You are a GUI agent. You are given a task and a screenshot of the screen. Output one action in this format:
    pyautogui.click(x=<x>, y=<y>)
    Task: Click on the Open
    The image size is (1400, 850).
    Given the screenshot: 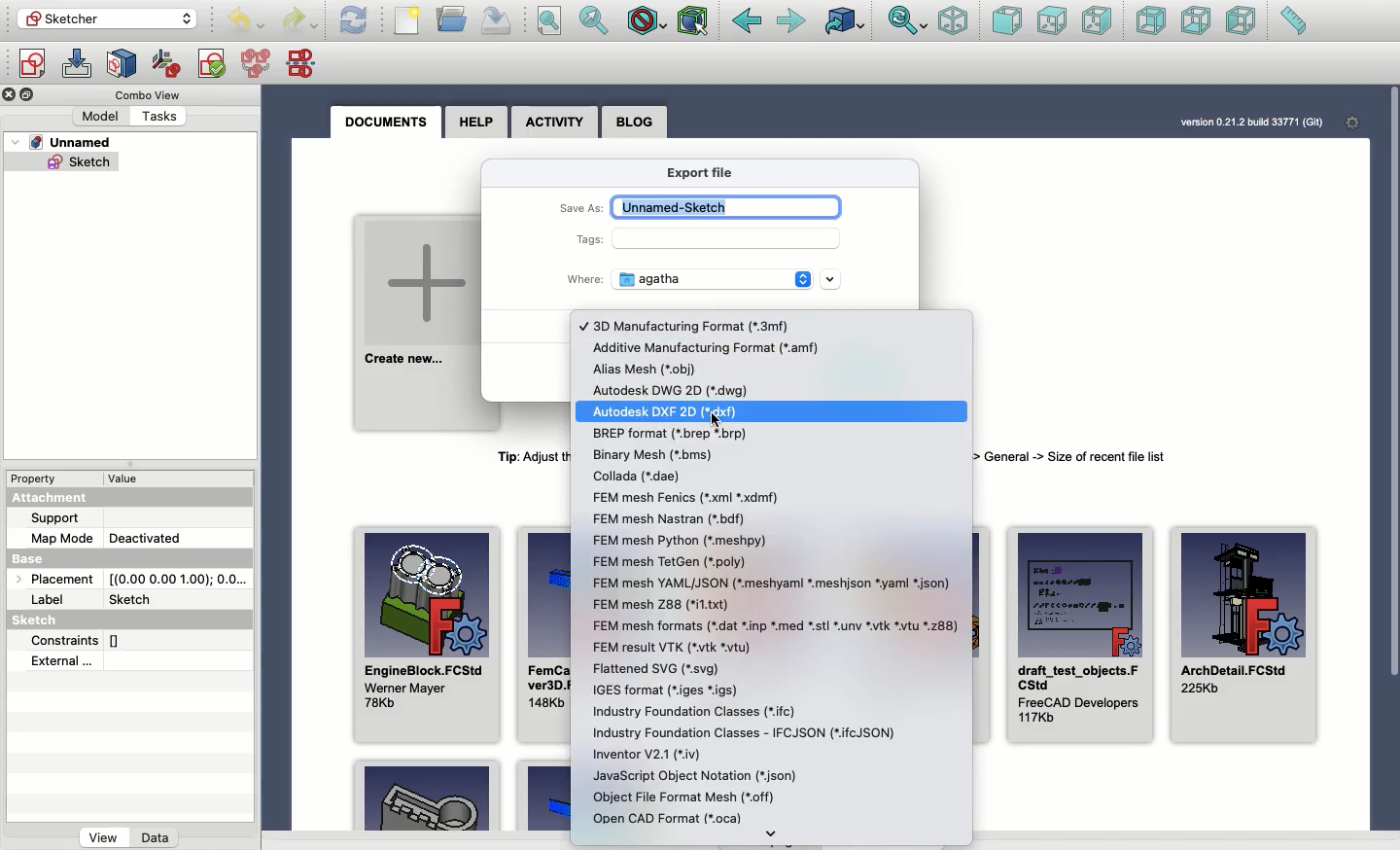 What is the action you would take?
    pyautogui.click(x=453, y=18)
    